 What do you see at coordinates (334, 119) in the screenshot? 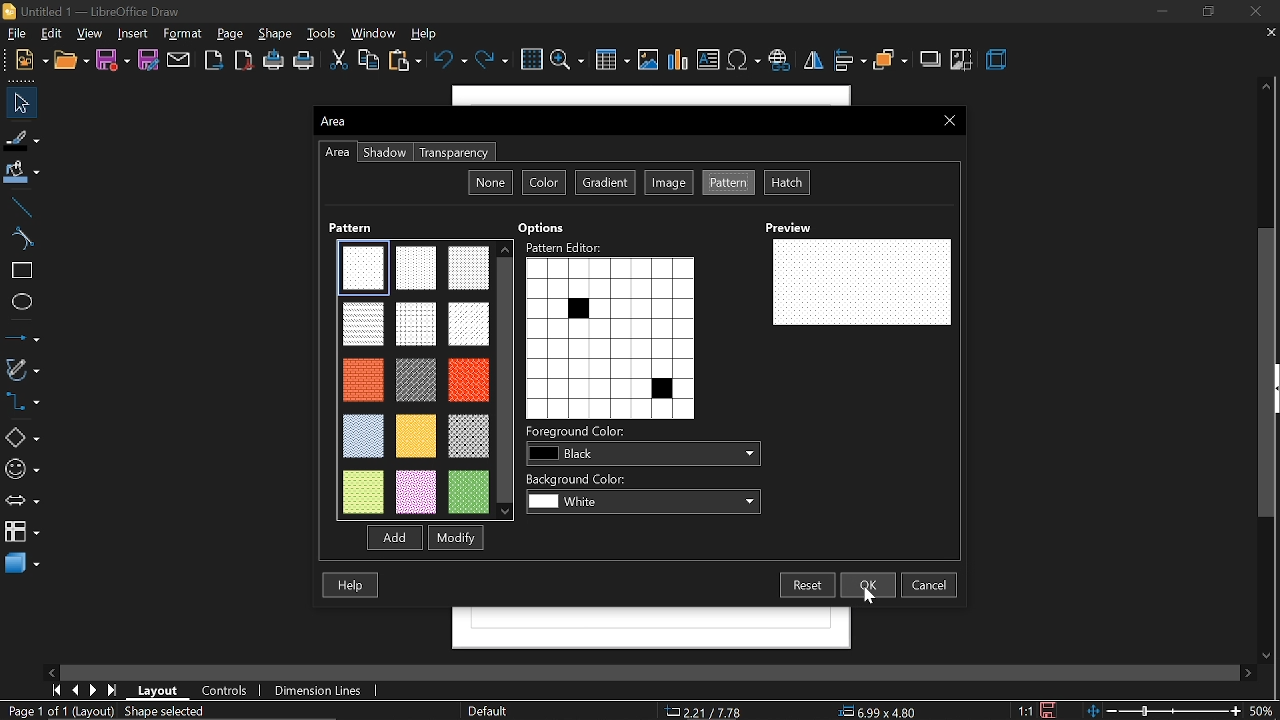
I see `Area` at bounding box center [334, 119].